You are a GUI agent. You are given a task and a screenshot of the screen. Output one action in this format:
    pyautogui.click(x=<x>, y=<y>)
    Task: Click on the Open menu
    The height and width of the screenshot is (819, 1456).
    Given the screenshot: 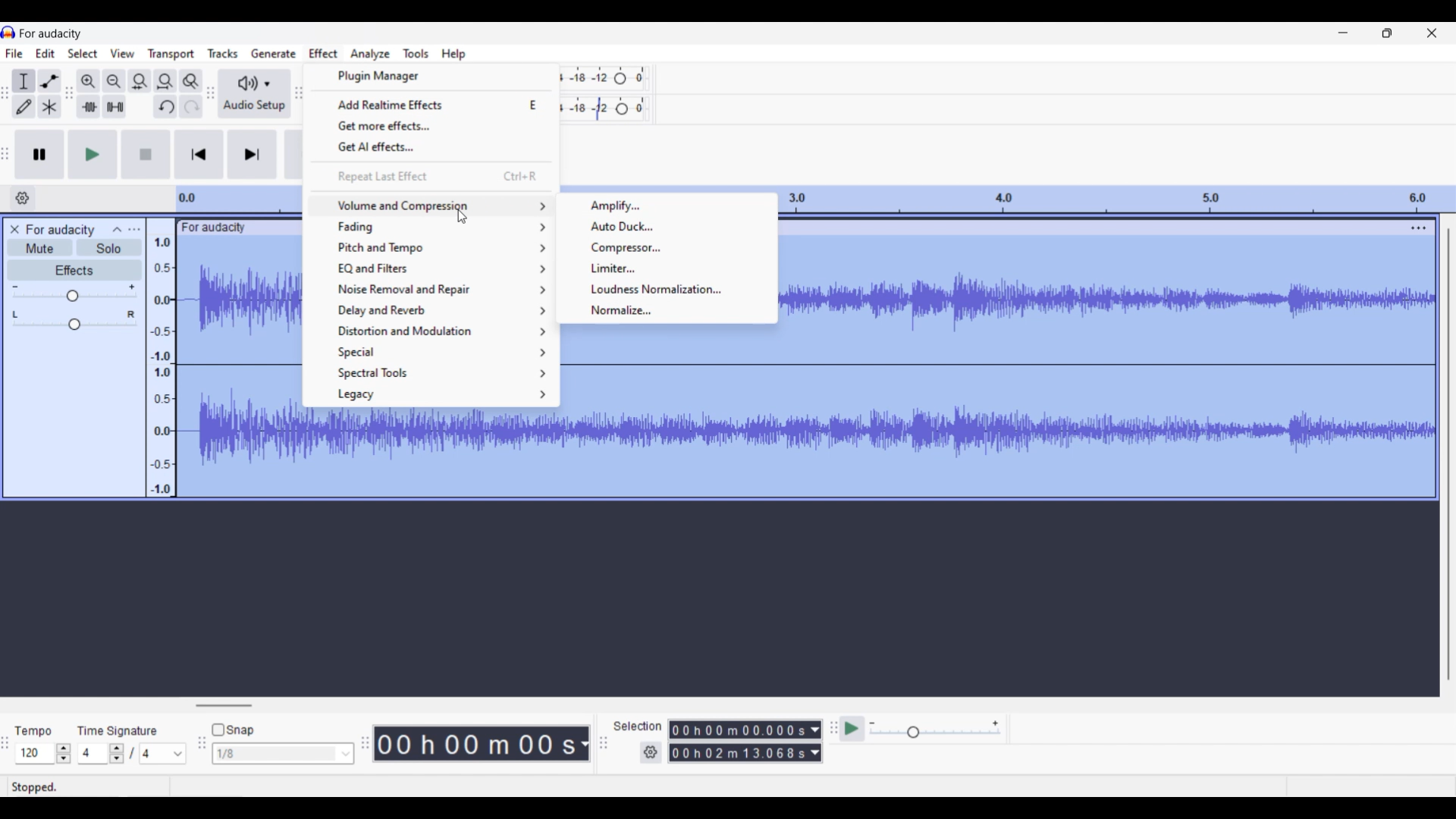 What is the action you would take?
    pyautogui.click(x=134, y=230)
    